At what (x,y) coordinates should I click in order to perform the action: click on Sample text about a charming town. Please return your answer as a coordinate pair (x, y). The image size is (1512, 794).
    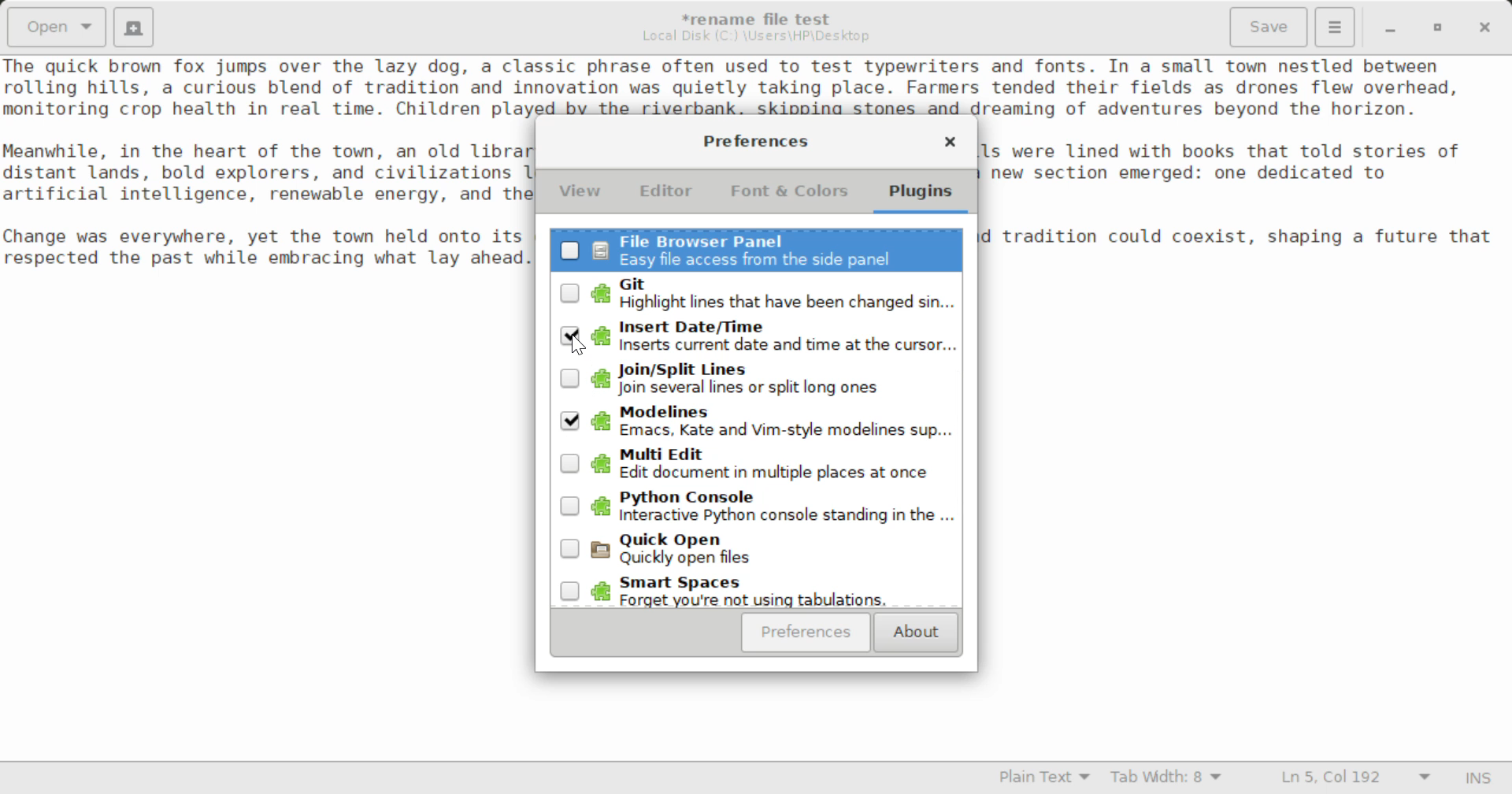
    Looking at the image, I should click on (756, 86).